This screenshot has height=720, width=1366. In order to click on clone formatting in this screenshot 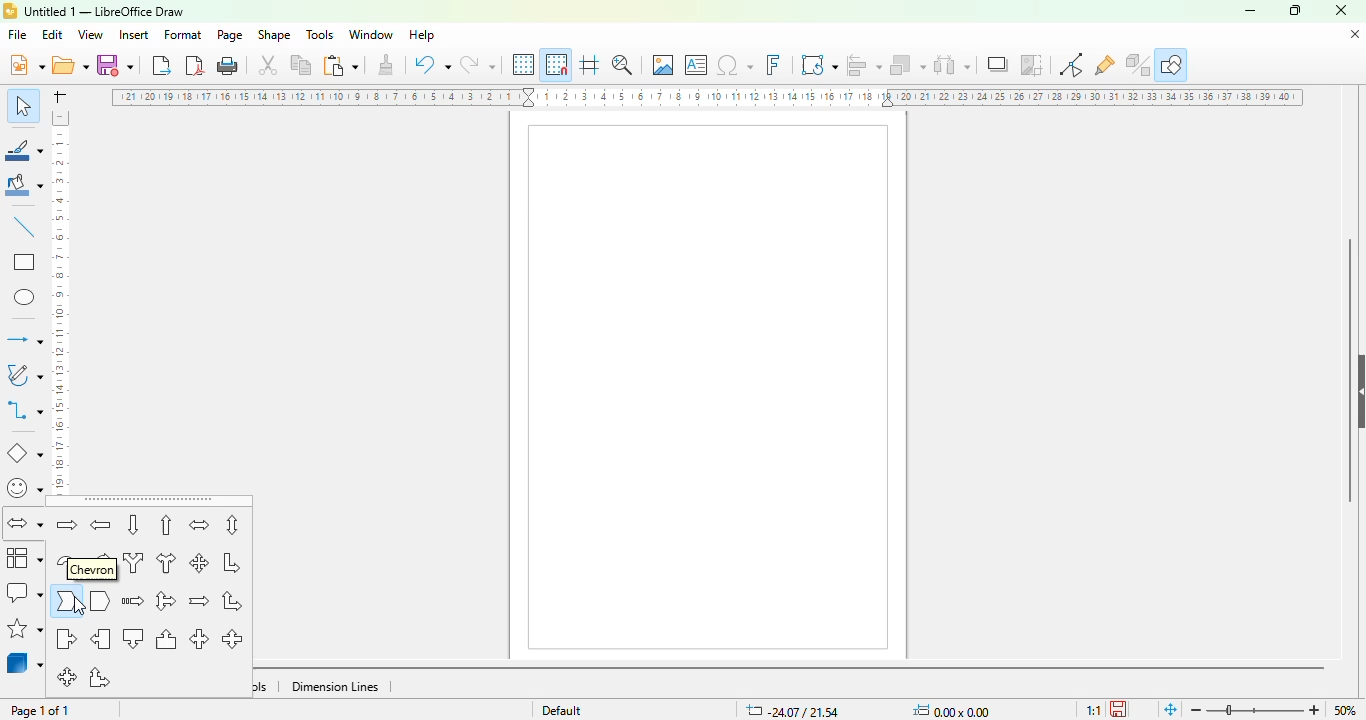, I will do `click(387, 63)`.